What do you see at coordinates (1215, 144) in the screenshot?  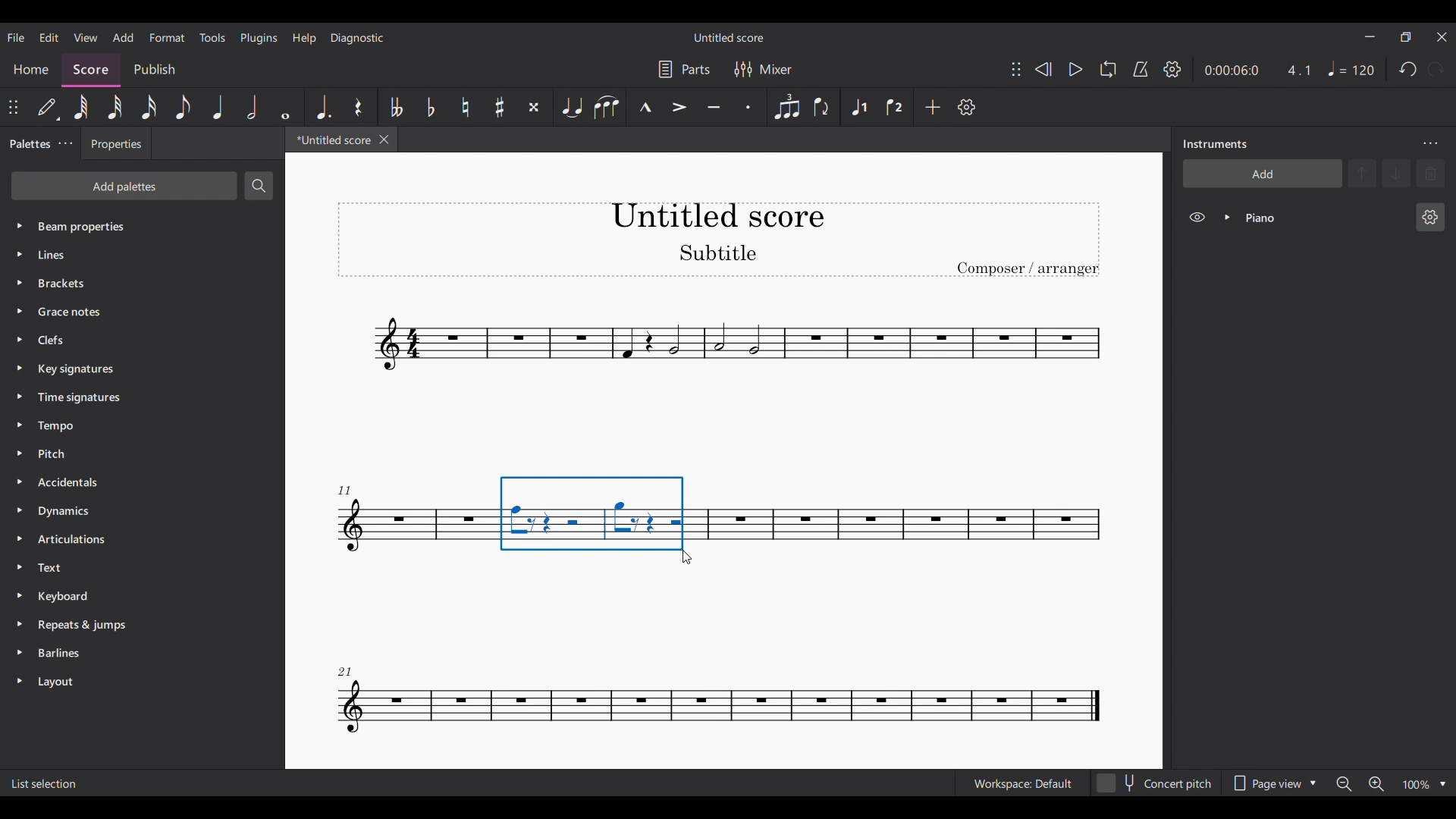 I see `Instruments` at bounding box center [1215, 144].